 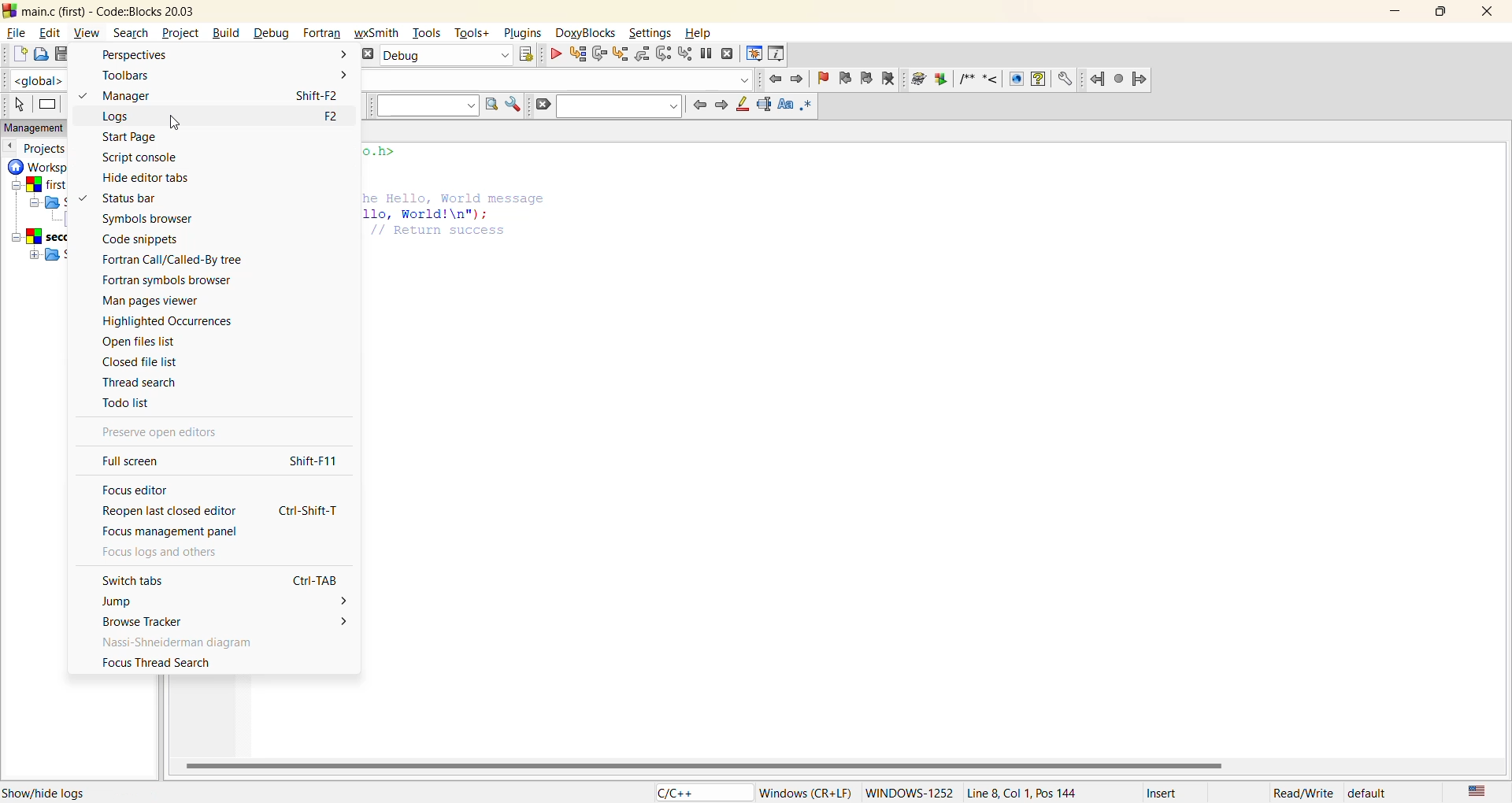 What do you see at coordinates (150, 157) in the screenshot?
I see `script console` at bounding box center [150, 157].